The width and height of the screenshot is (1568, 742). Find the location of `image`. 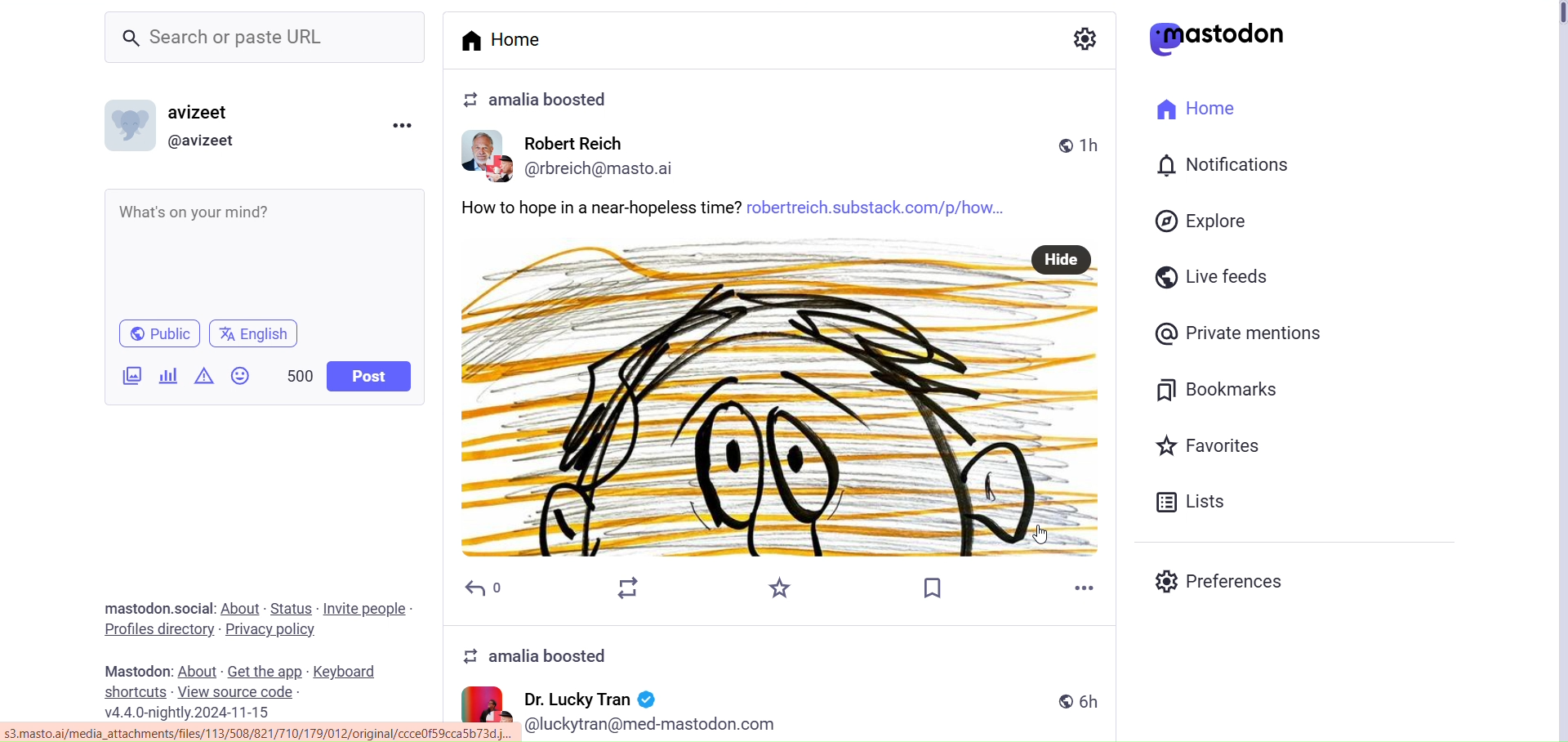

image is located at coordinates (781, 421).